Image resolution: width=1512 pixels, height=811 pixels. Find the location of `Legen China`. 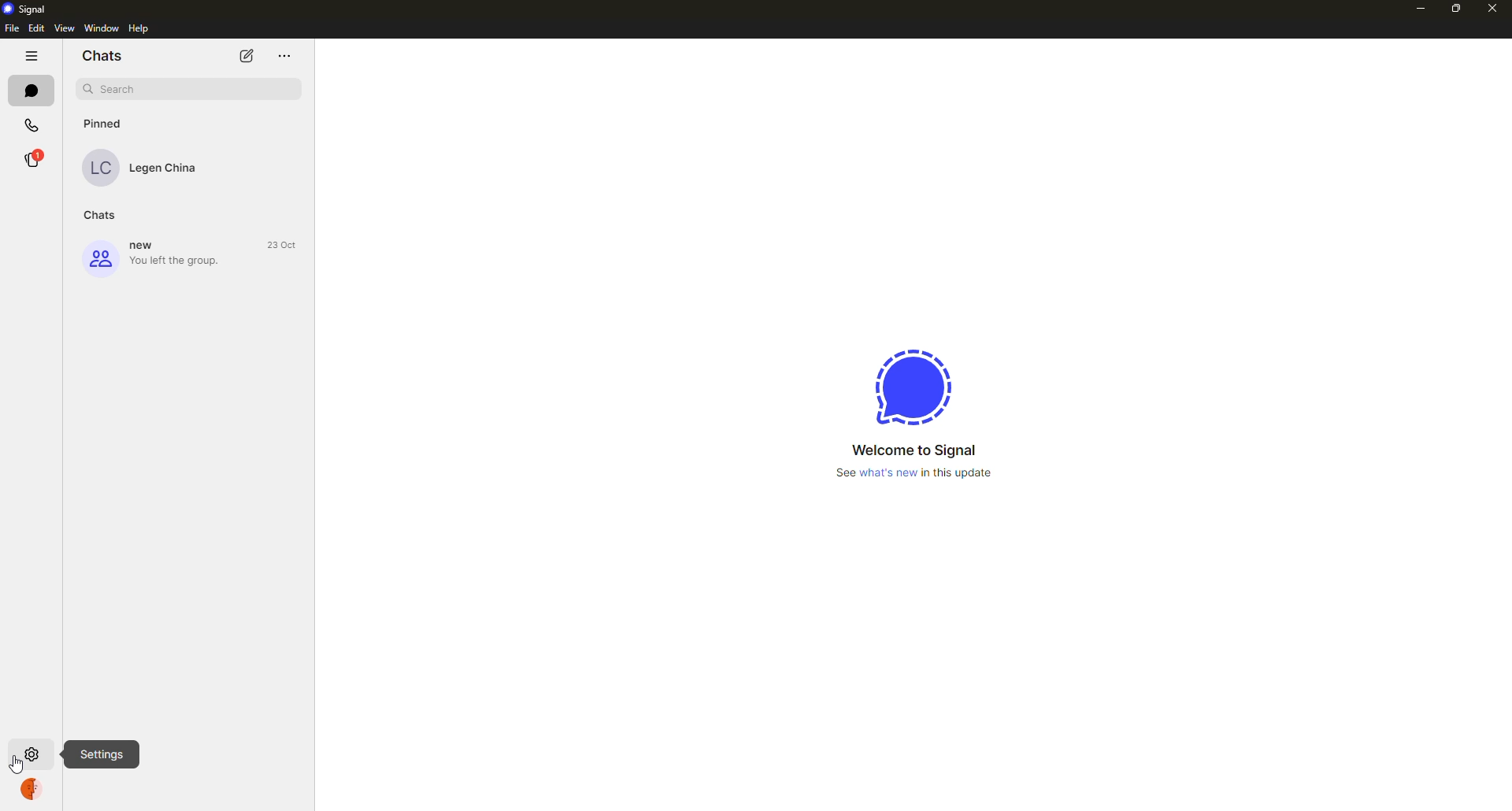

Legen China is located at coordinates (164, 168).